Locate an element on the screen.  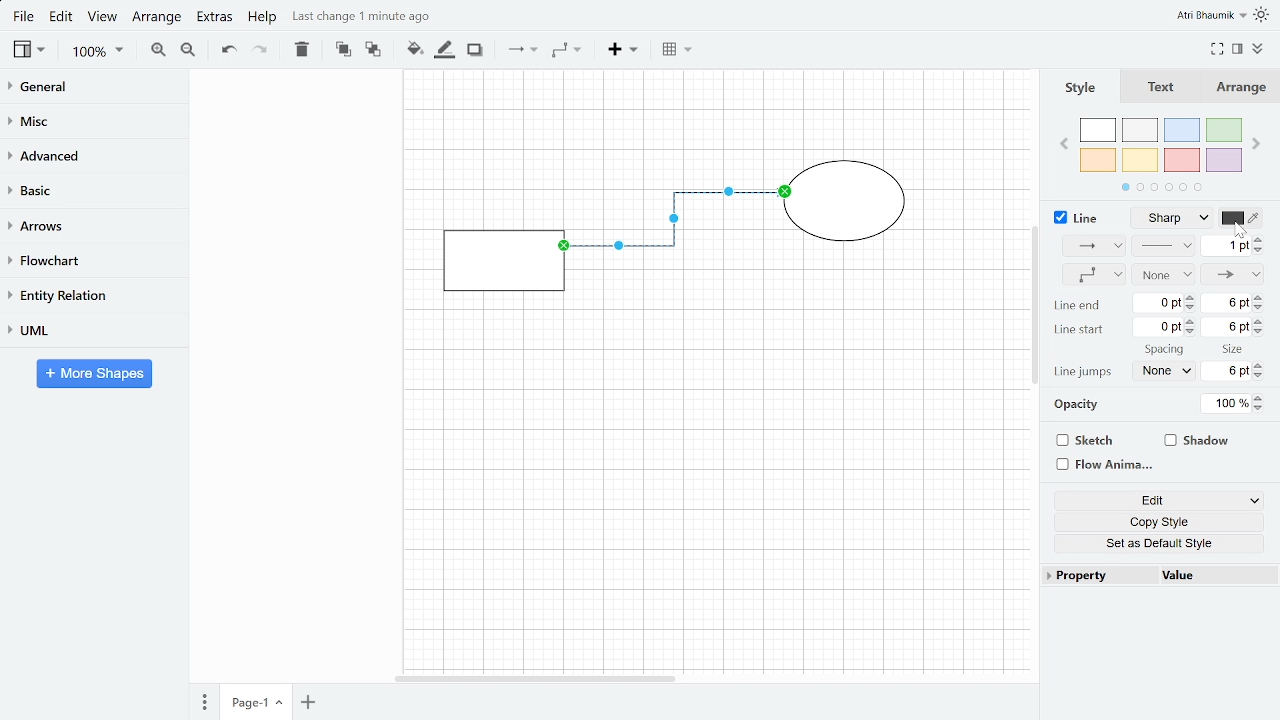
Copy style is located at coordinates (1153, 520).